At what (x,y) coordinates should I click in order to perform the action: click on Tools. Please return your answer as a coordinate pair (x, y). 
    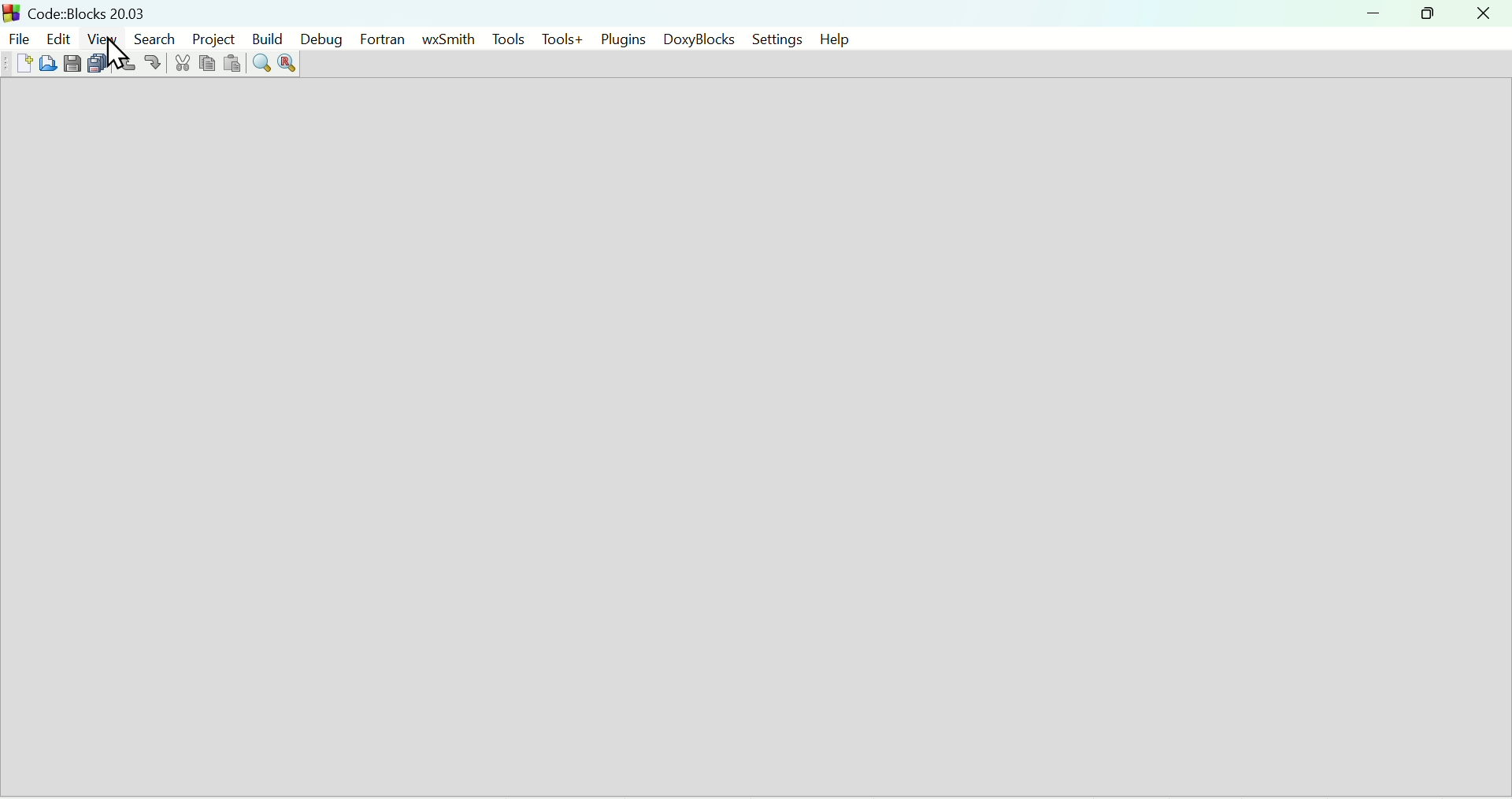
    Looking at the image, I should click on (505, 38).